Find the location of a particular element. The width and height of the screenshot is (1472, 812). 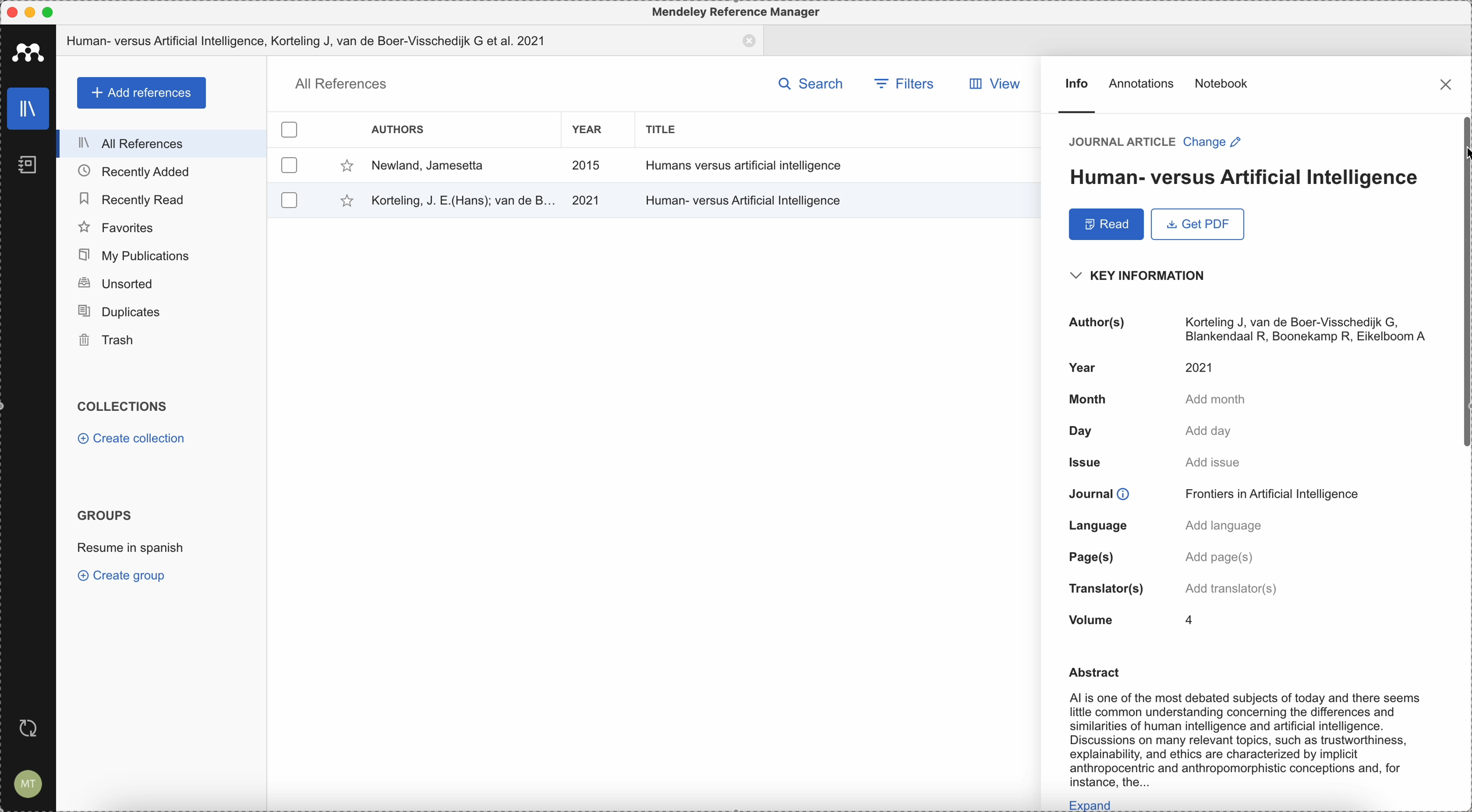

annotations is located at coordinates (1143, 86).